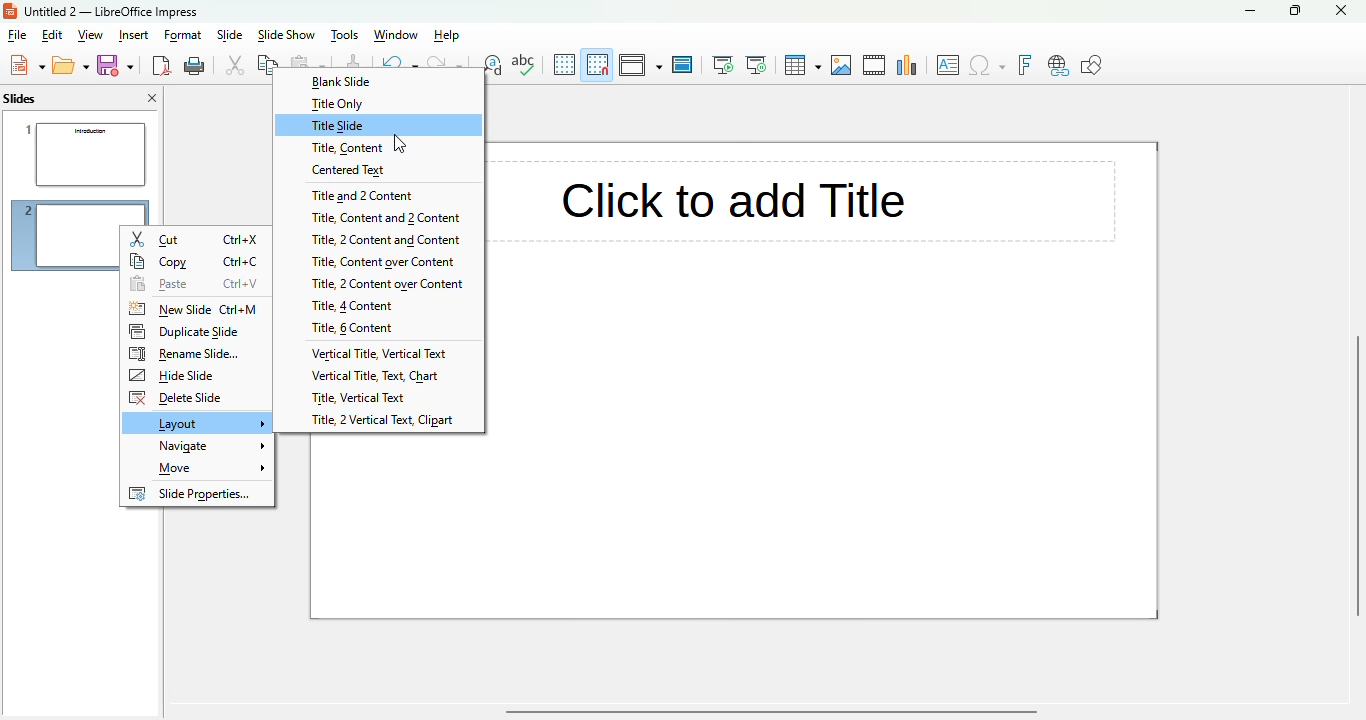  I want to click on tools, so click(343, 35).